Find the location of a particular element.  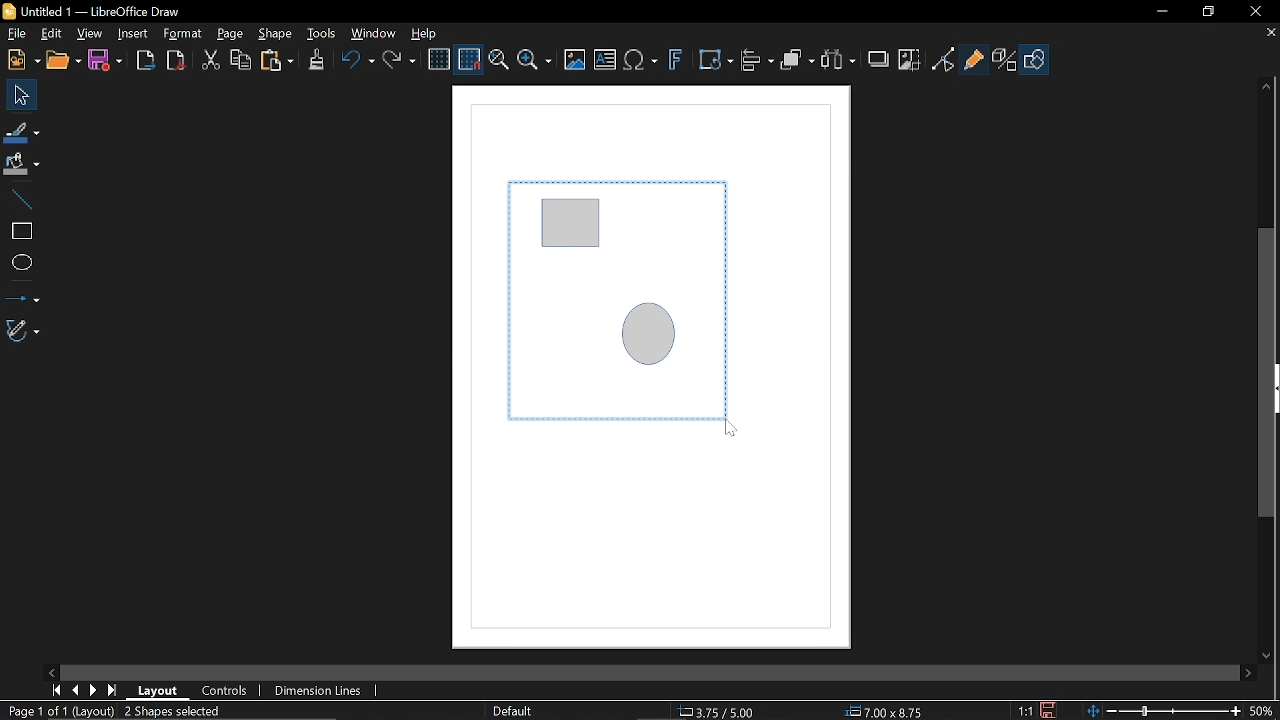

Edit is located at coordinates (50, 34).